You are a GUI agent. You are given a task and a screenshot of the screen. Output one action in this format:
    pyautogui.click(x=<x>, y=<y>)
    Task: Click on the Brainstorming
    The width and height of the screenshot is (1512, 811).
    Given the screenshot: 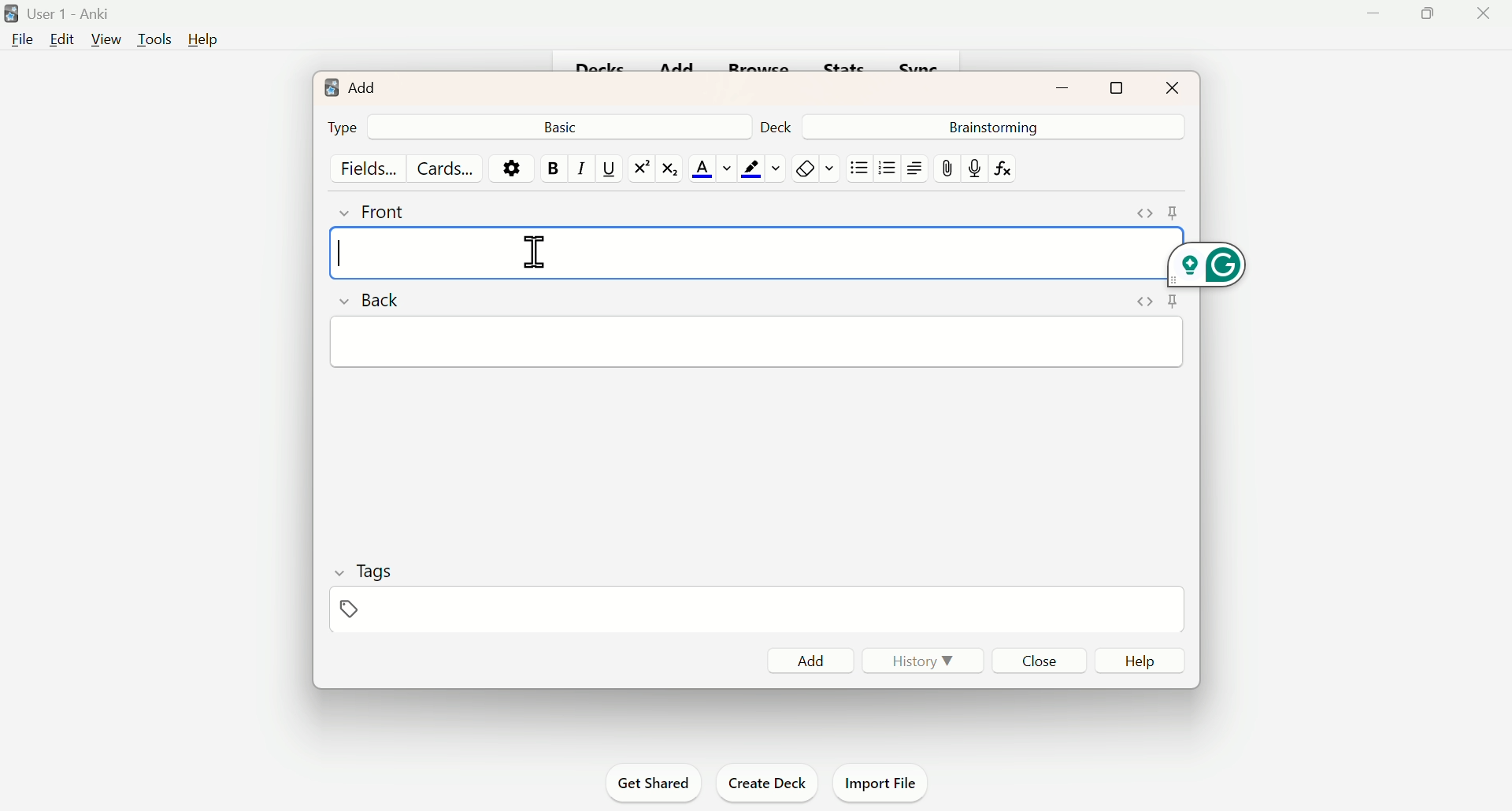 What is the action you would take?
    pyautogui.click(x=991, y=126)
    